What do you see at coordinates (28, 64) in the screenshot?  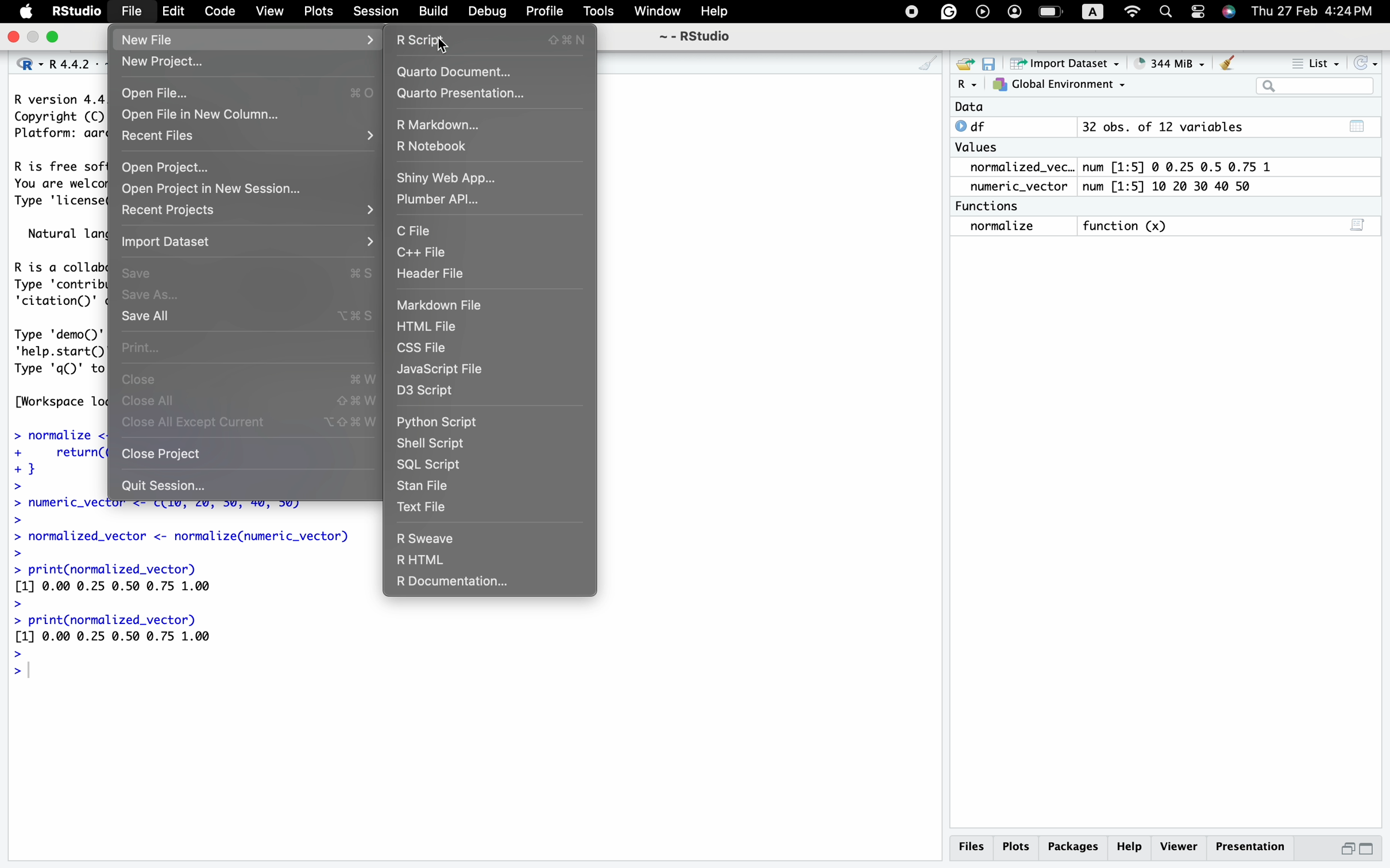 I see `R dropodown` at bounding box center [28, 64].